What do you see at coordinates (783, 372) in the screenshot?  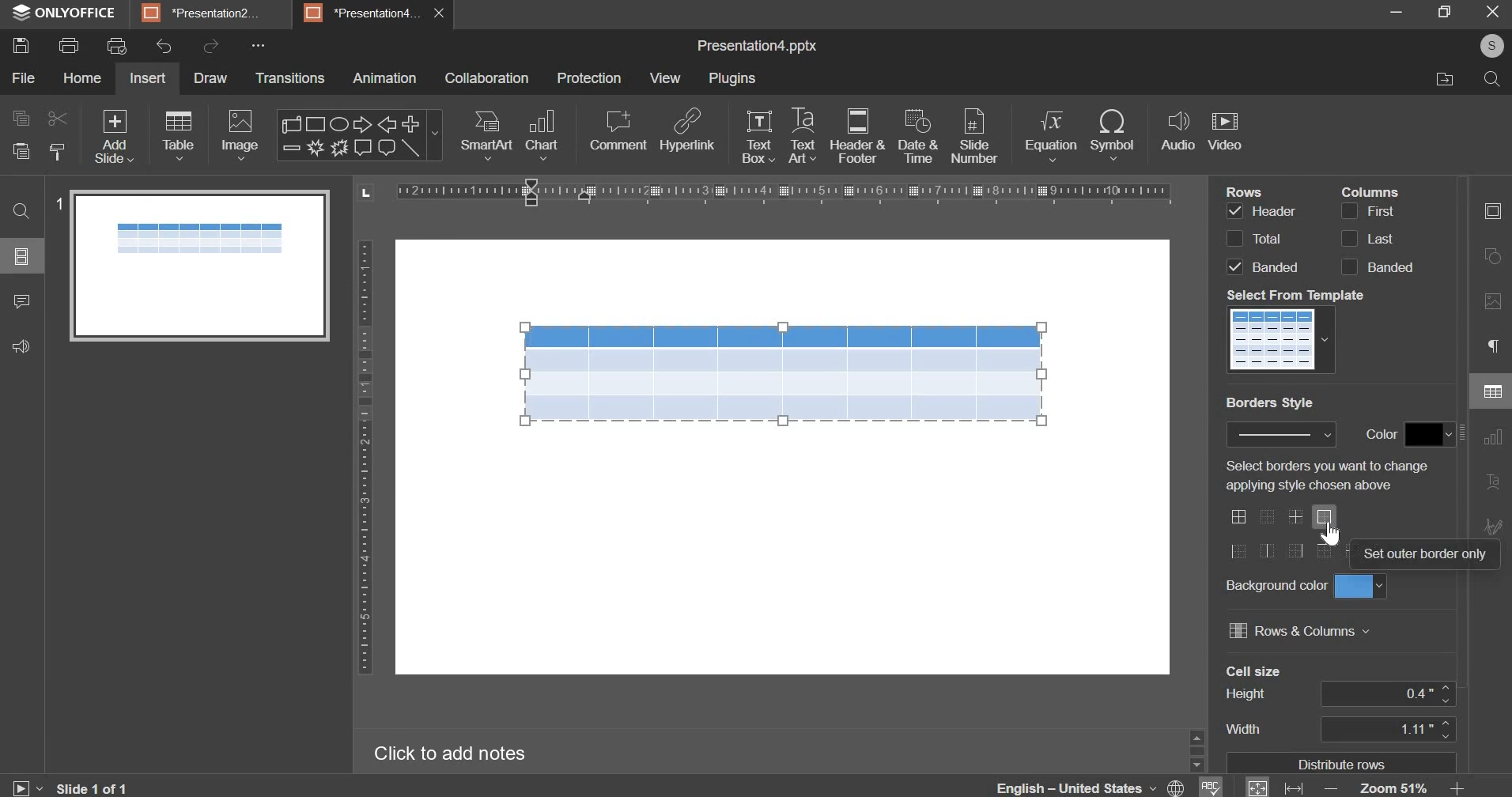 I see `table` at bounding box center [783, 372].